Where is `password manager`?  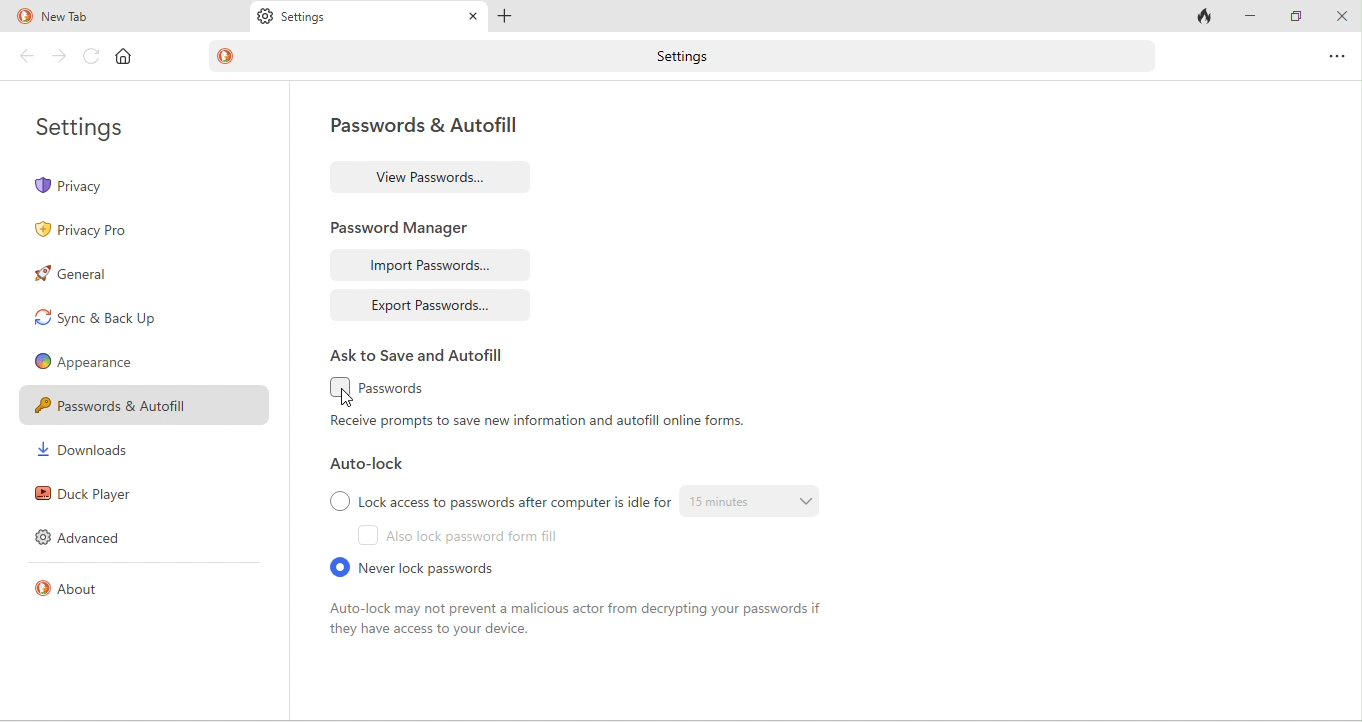
password manager is located at coordinates (412, 224).